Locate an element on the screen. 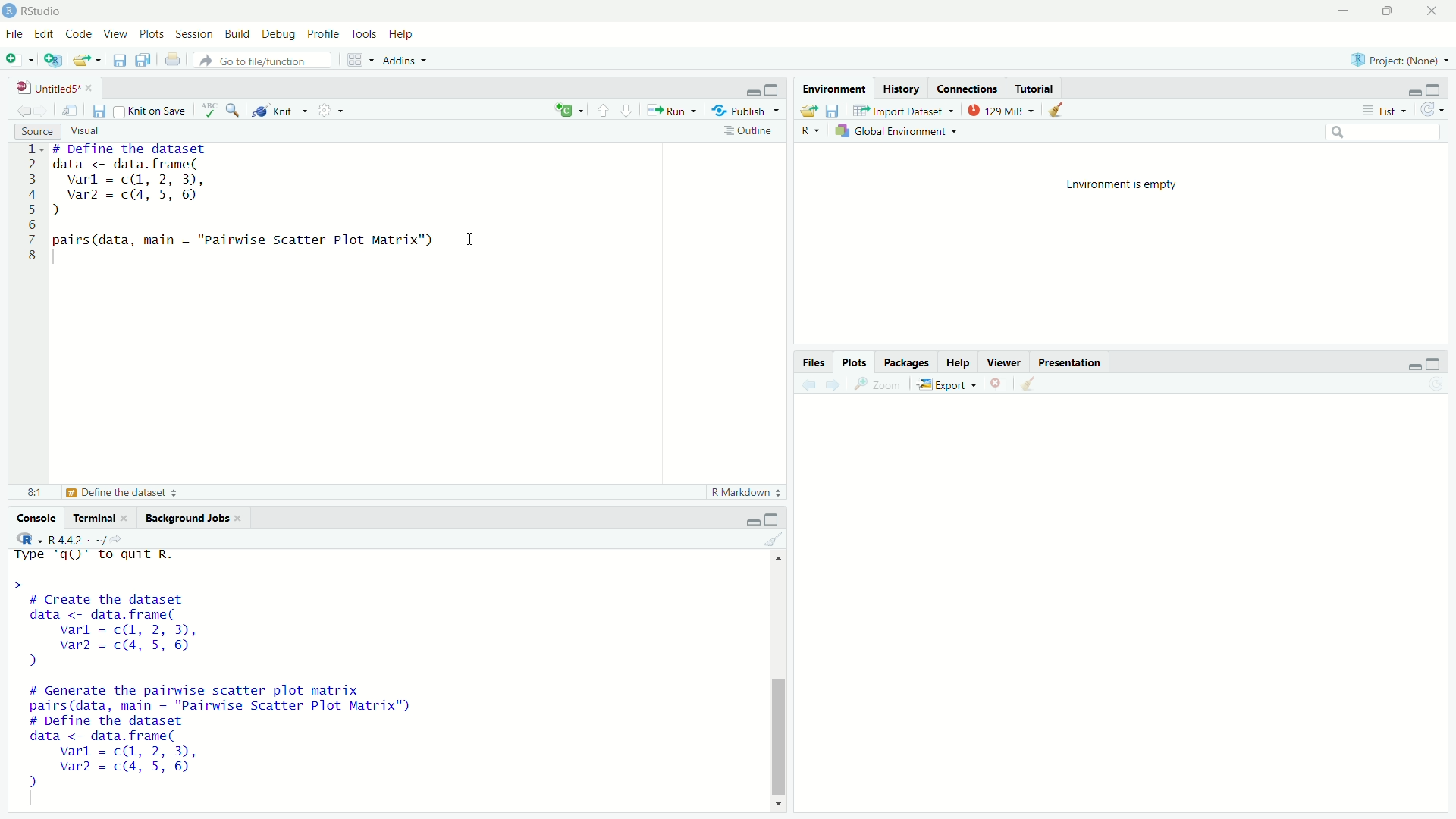 The image size is (1456, 819). Viewer is located at coordinates (1003, 362).